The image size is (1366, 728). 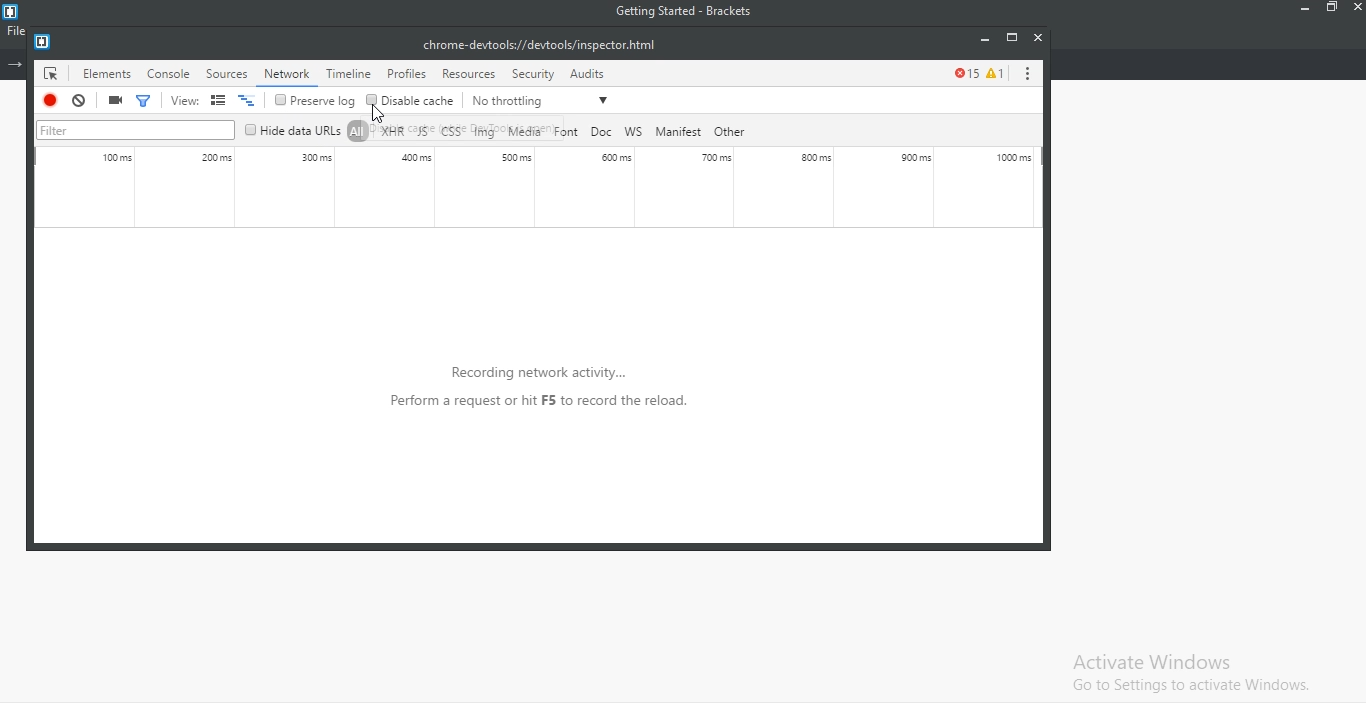 What do you see at coordinates (138, 129) in the screenshot?
I see `filter` at bounding box center [138, 129].